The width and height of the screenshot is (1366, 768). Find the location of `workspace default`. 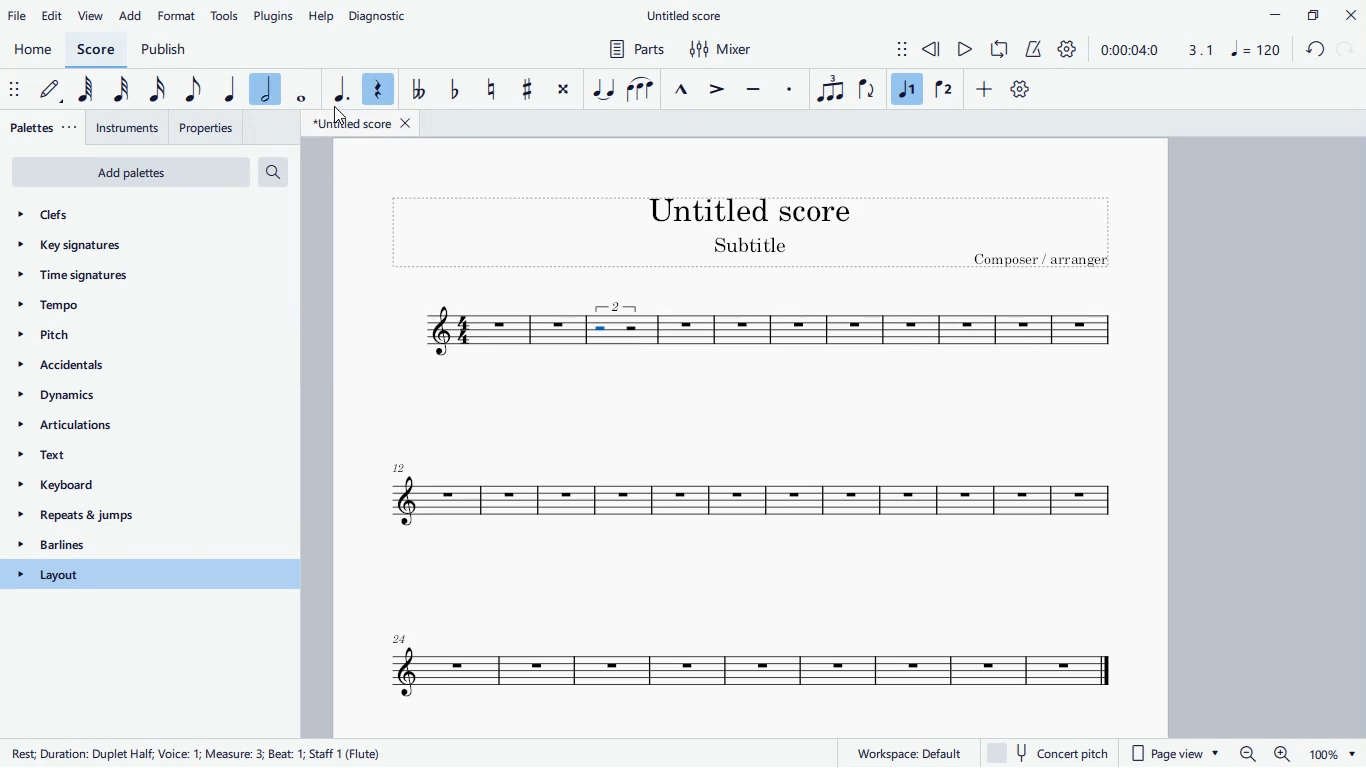

workspace default is located at coordinates (908, 752).